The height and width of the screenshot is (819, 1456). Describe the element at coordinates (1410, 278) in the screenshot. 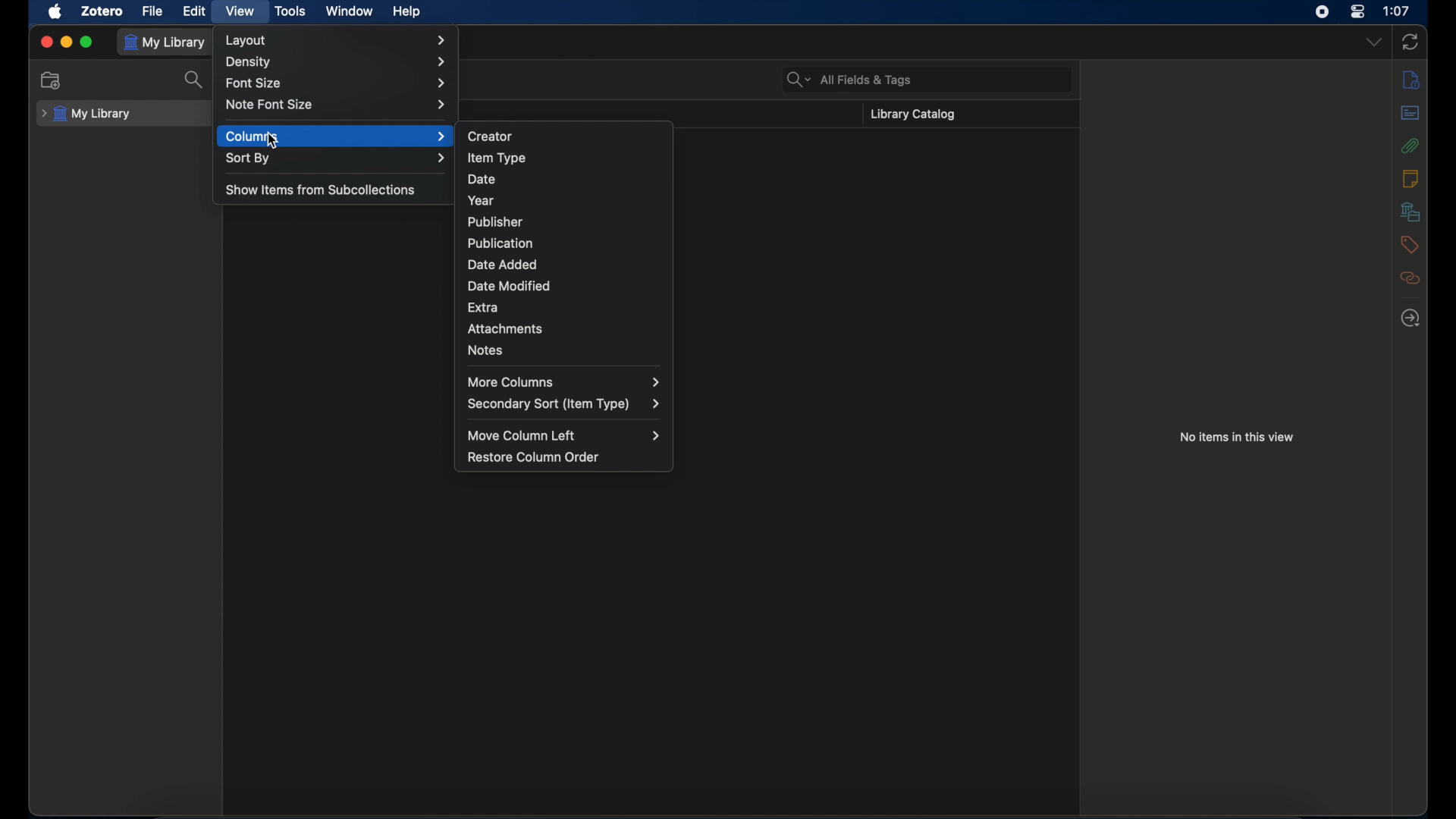

I see `related` at that location.